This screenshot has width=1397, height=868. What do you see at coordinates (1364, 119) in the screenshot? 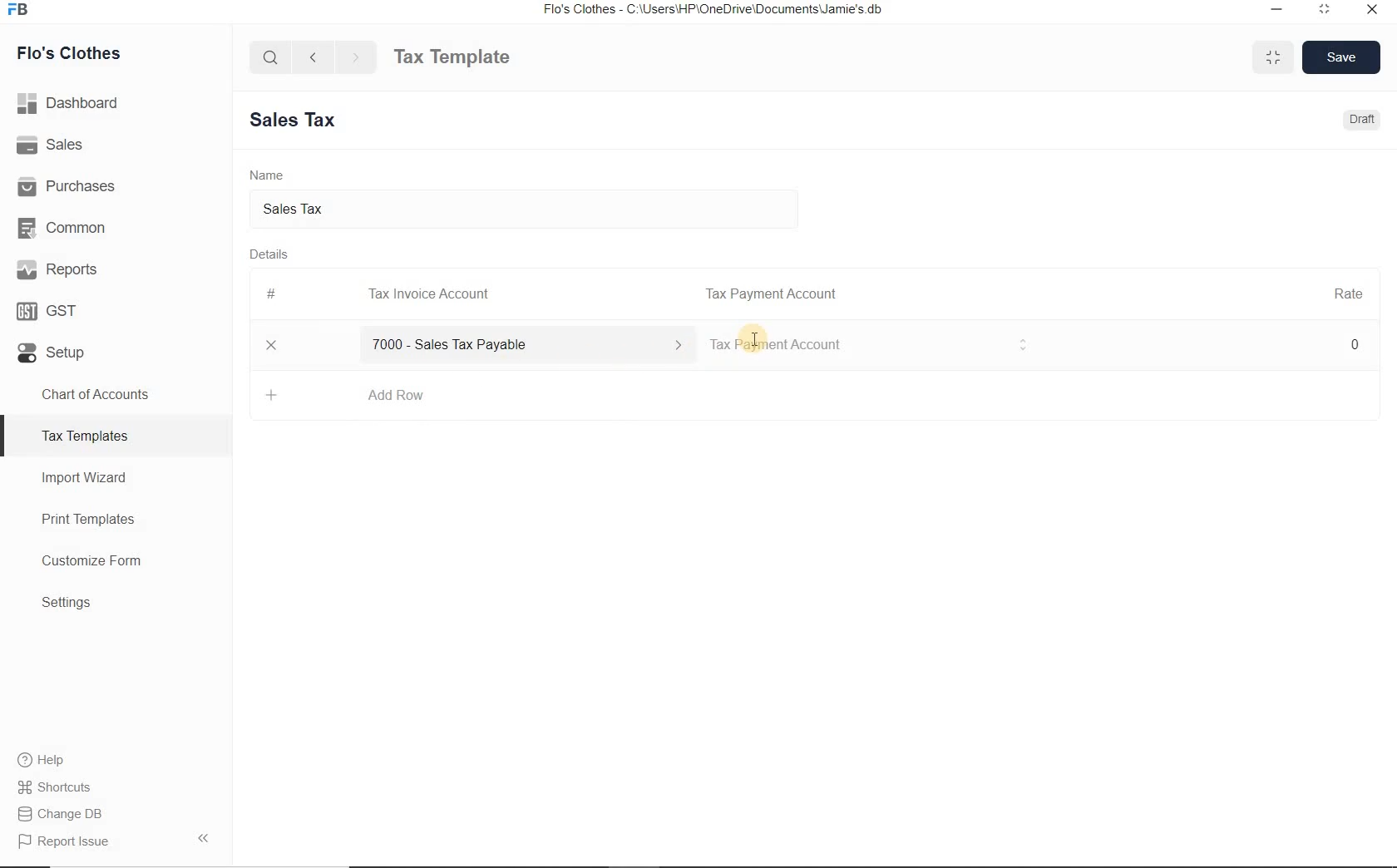
I see `Draft` at bounding box center [1364, 119].